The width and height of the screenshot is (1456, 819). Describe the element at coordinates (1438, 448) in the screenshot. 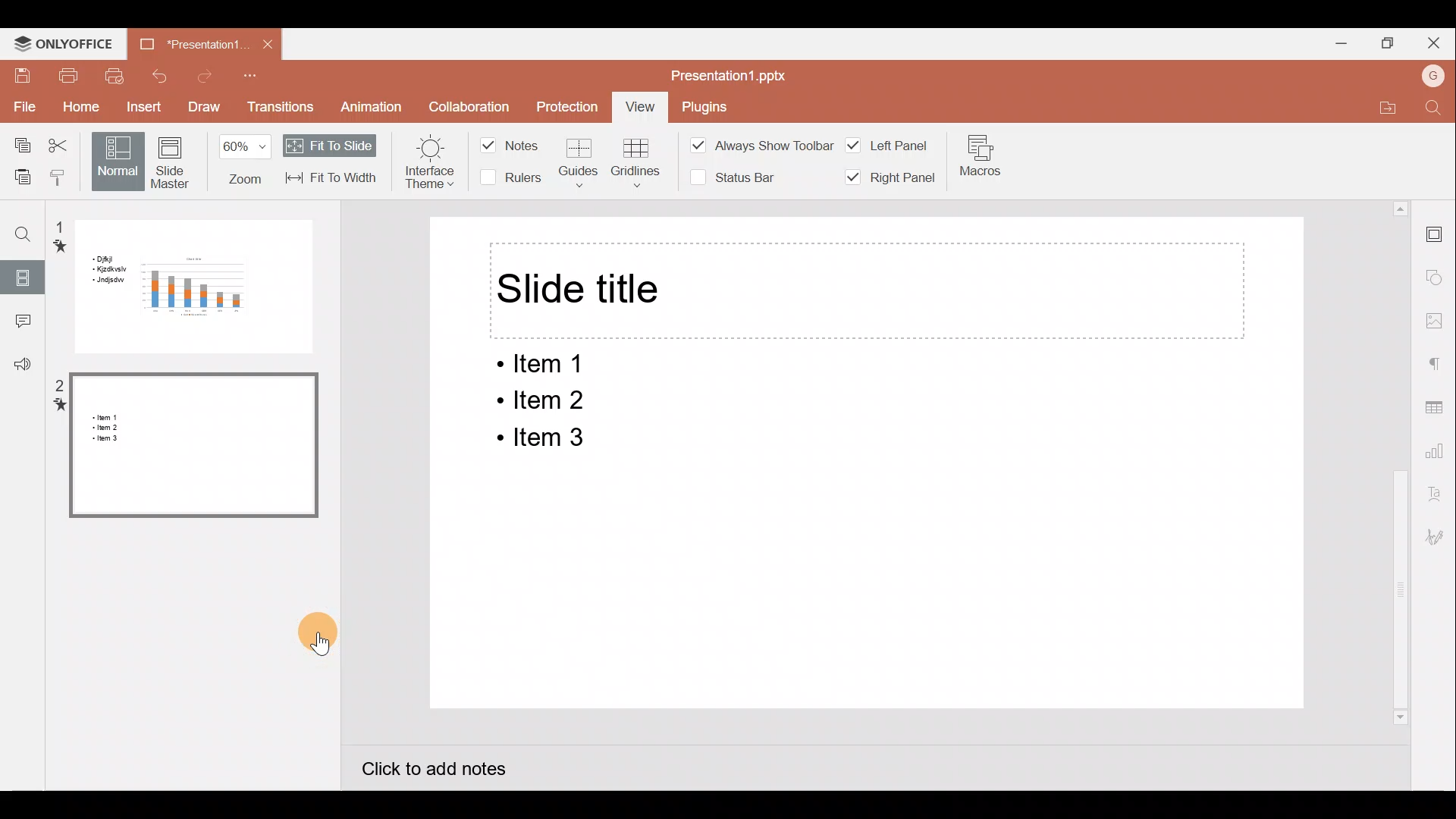

I see `Chart settings` at that location.